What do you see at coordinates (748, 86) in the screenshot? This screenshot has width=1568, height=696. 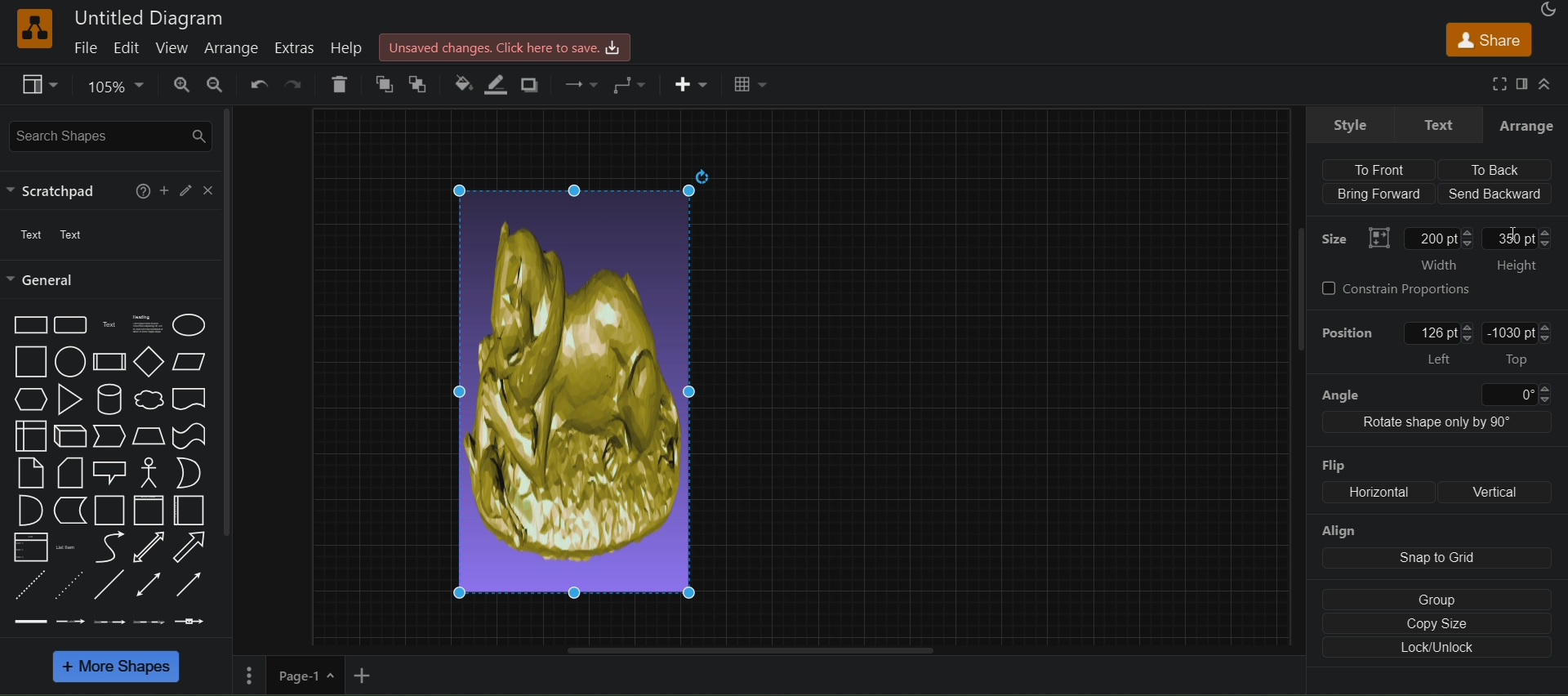 I see `Table` at bounding box center [748, 86].